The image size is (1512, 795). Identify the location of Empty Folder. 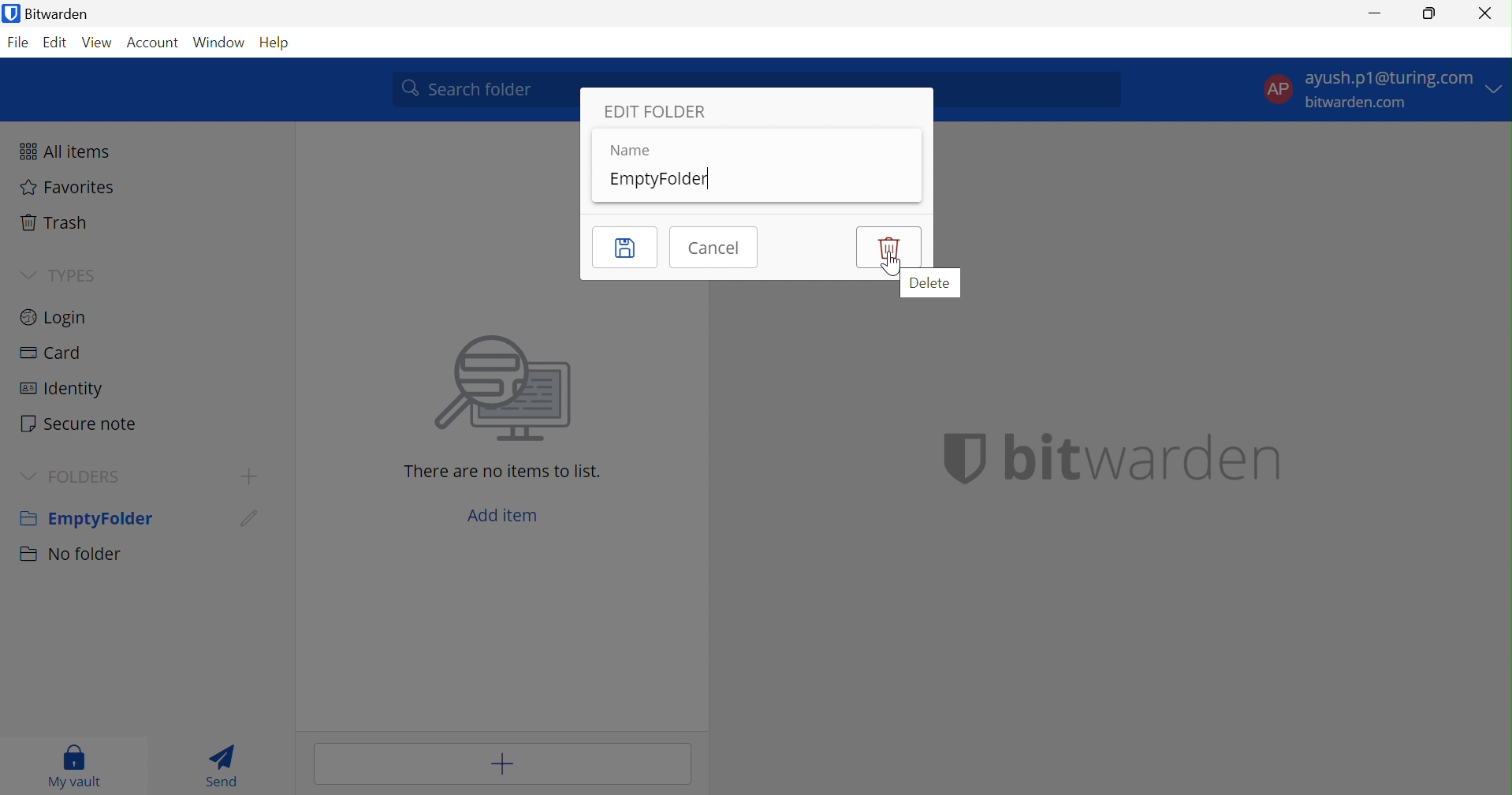
(84, 521).